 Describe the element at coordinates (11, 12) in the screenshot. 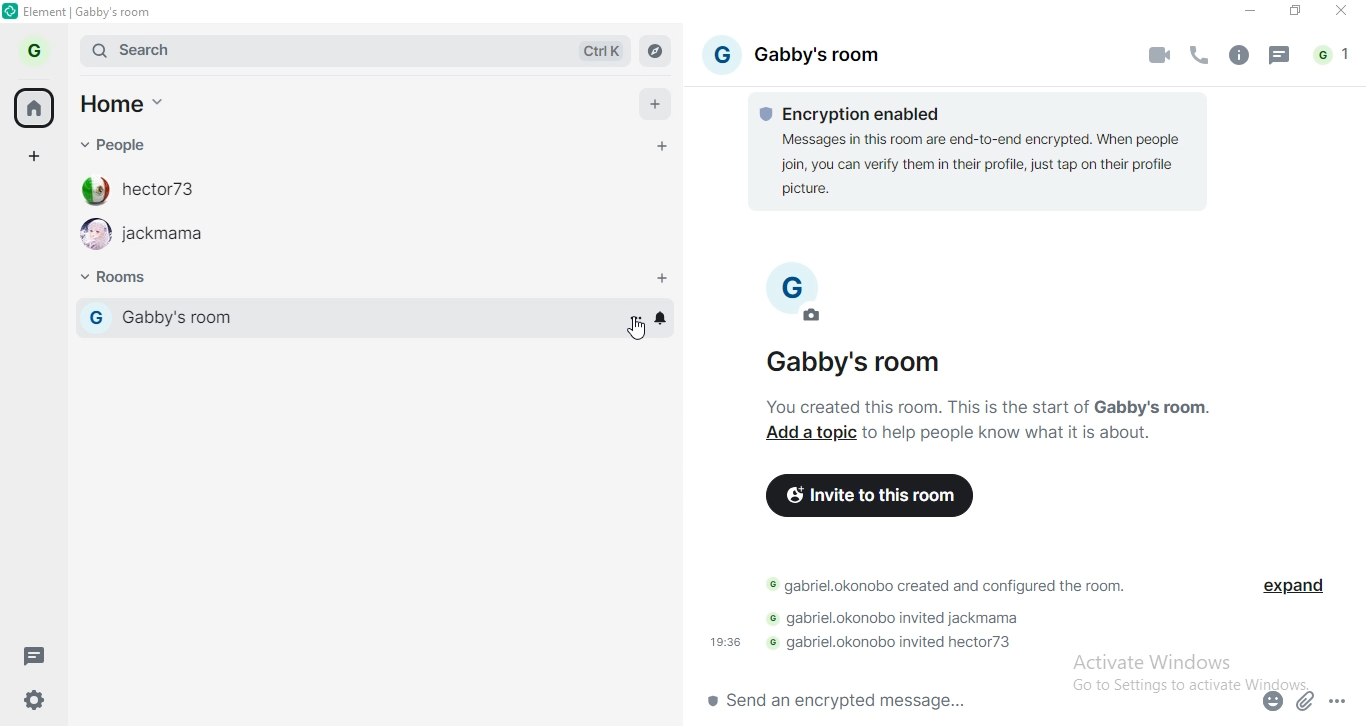

I see `logo` at that location.